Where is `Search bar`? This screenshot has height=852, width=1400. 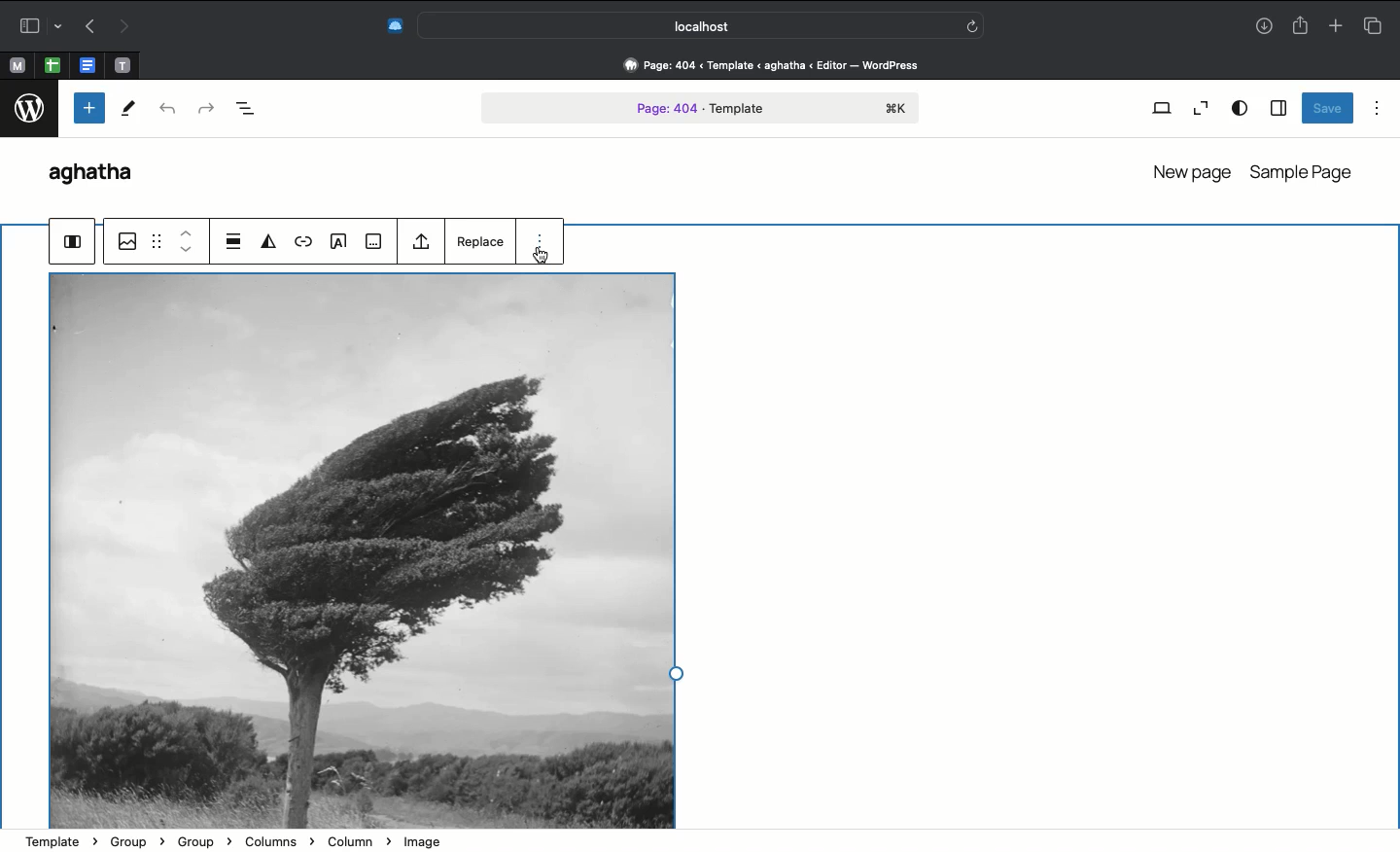 Search bar is located at coordinates (703, 24).